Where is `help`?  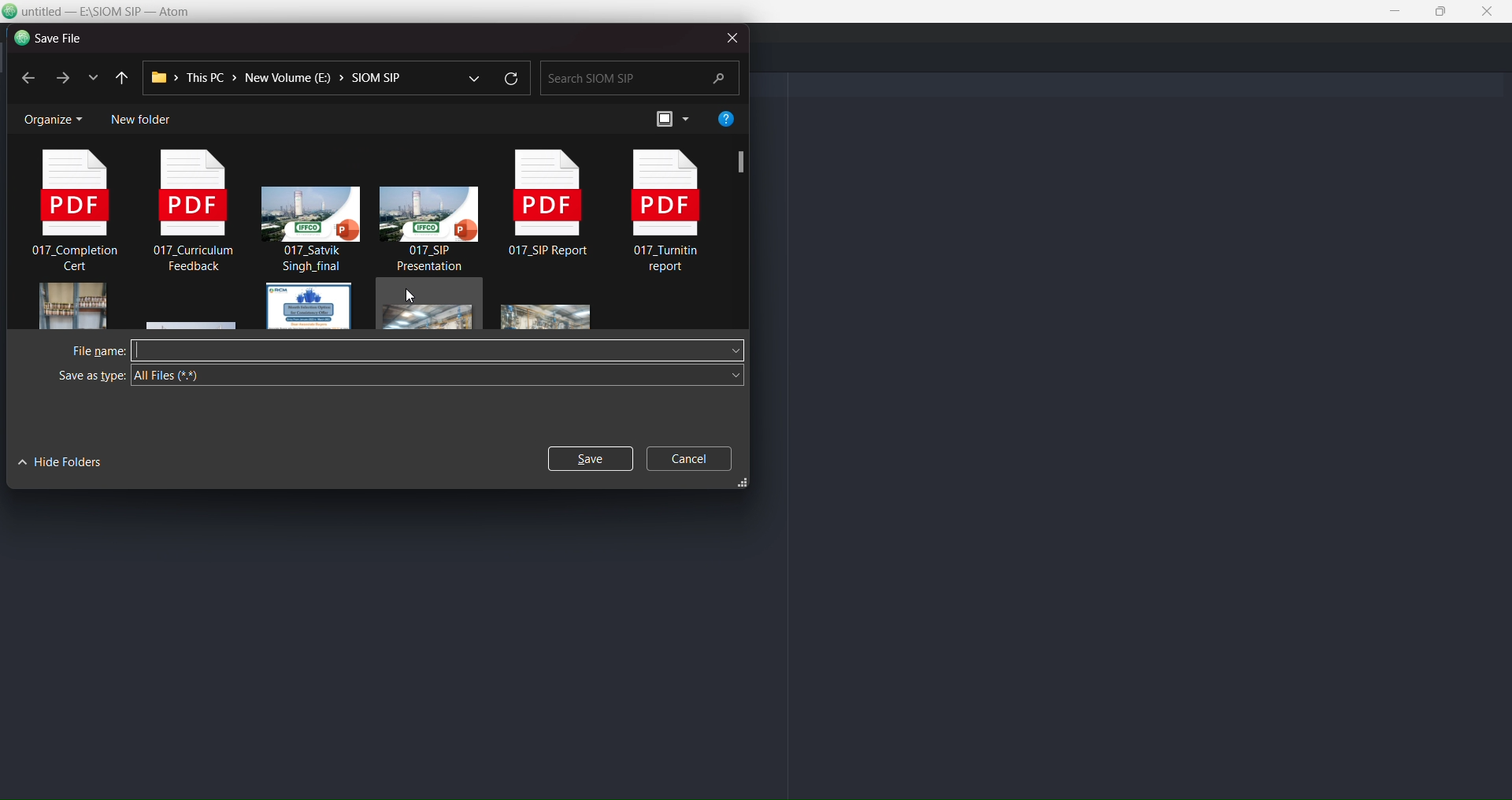 help is located at coordinates (727, 119).